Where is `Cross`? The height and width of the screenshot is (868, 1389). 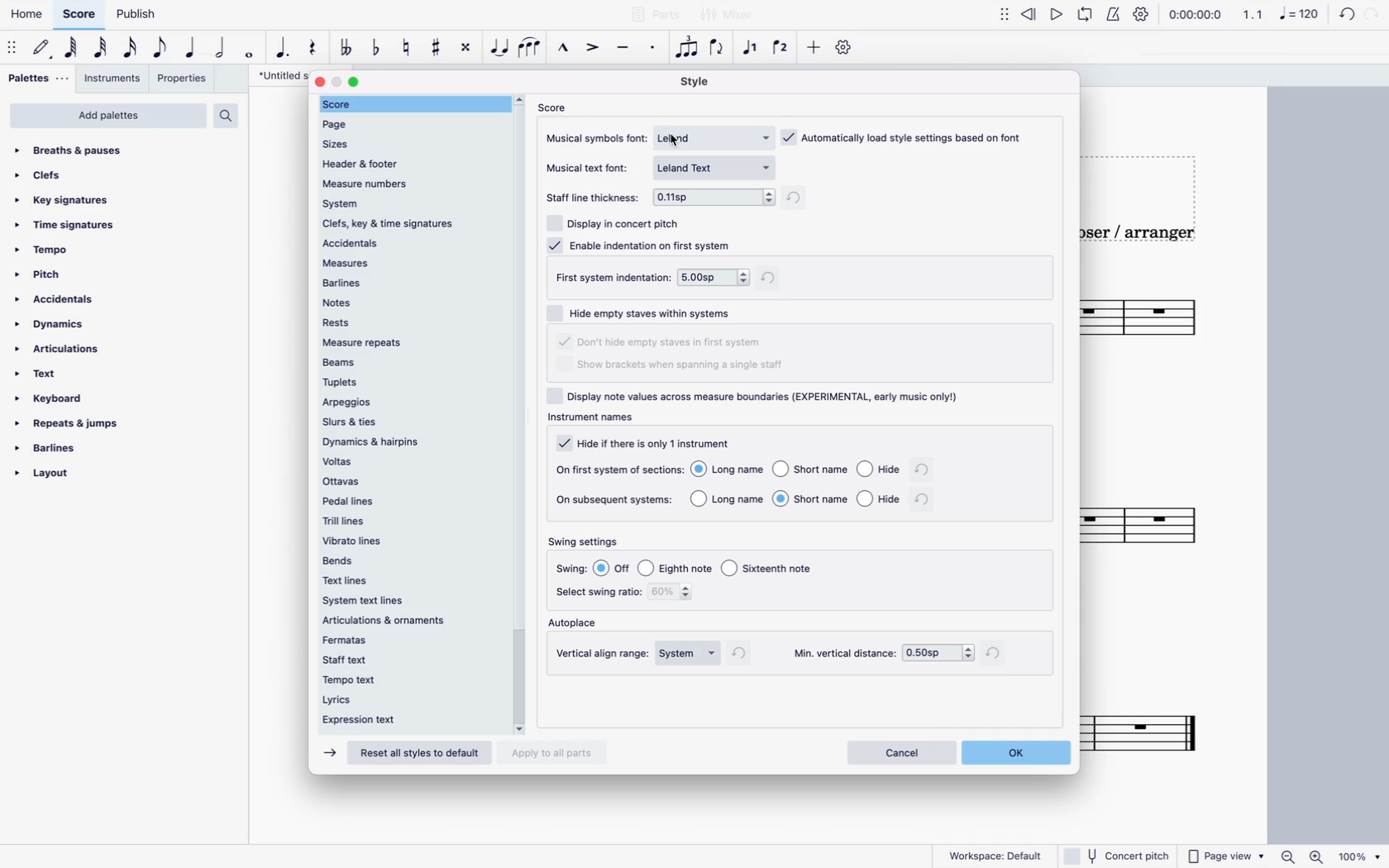 Cross is located at coordinates (465, 48).